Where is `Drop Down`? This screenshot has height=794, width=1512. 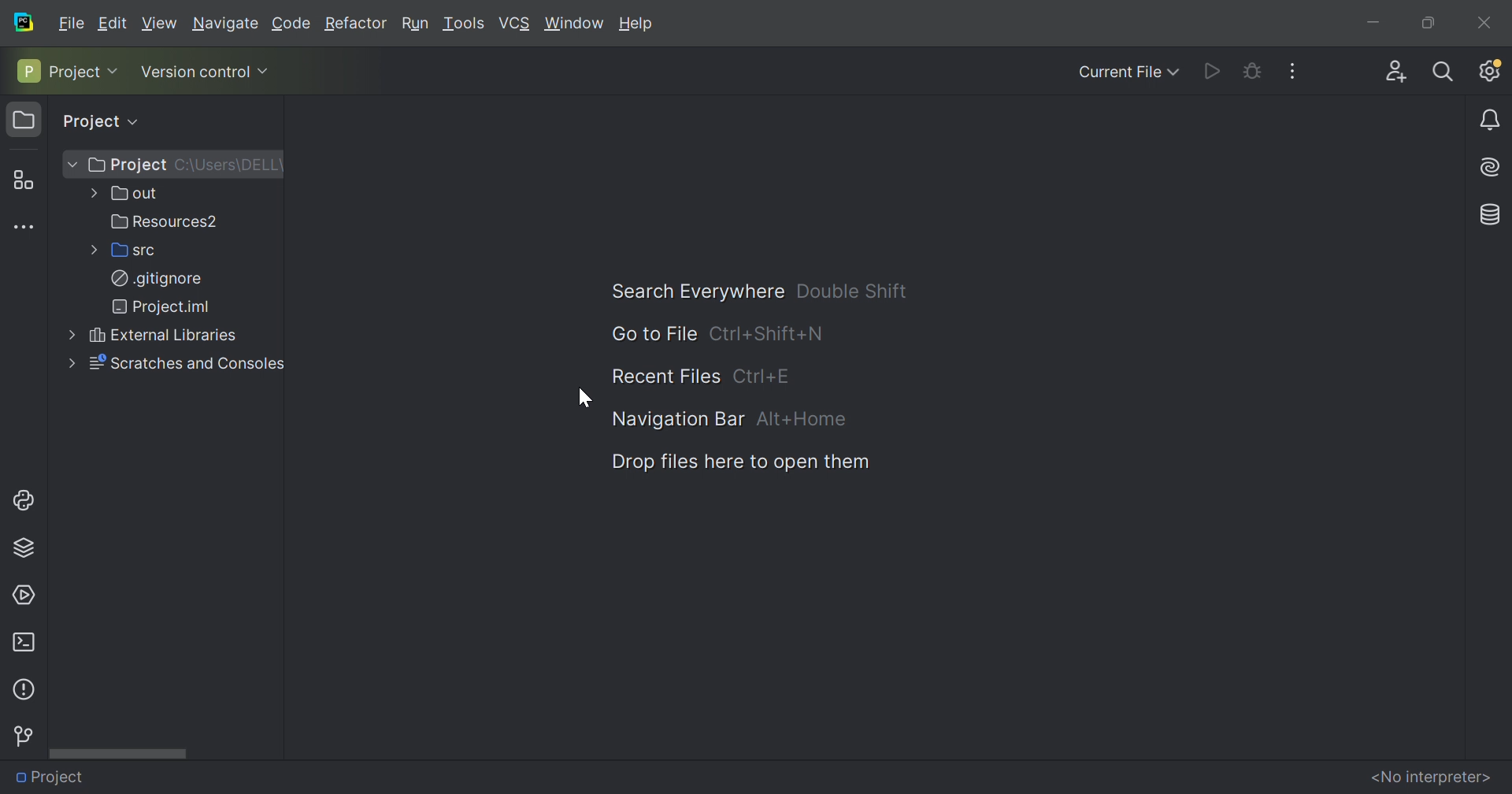 Drop Down is located at coordinates (71, 165).